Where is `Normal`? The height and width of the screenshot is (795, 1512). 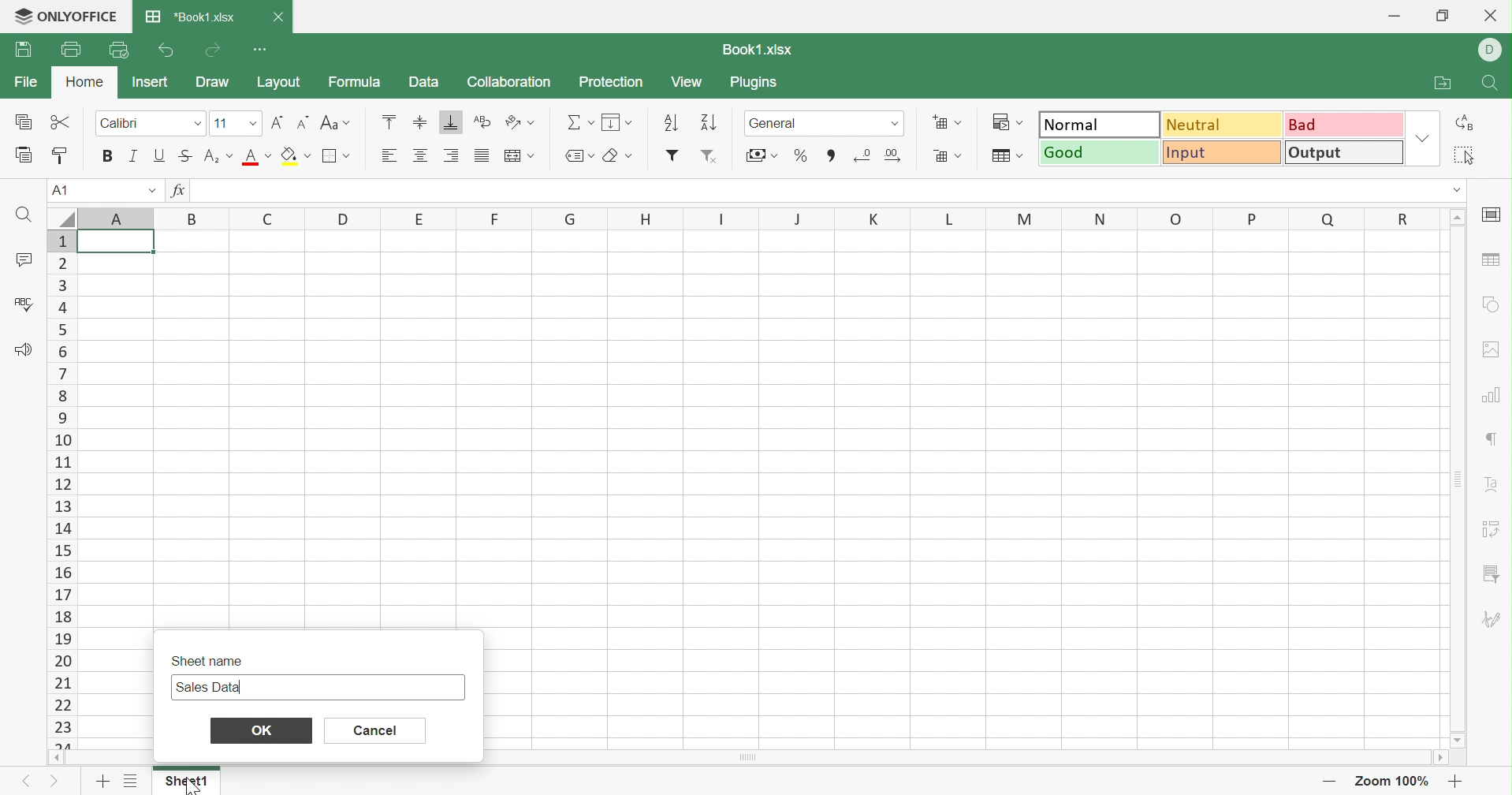 Normal is located at coordinates (1099, 125).